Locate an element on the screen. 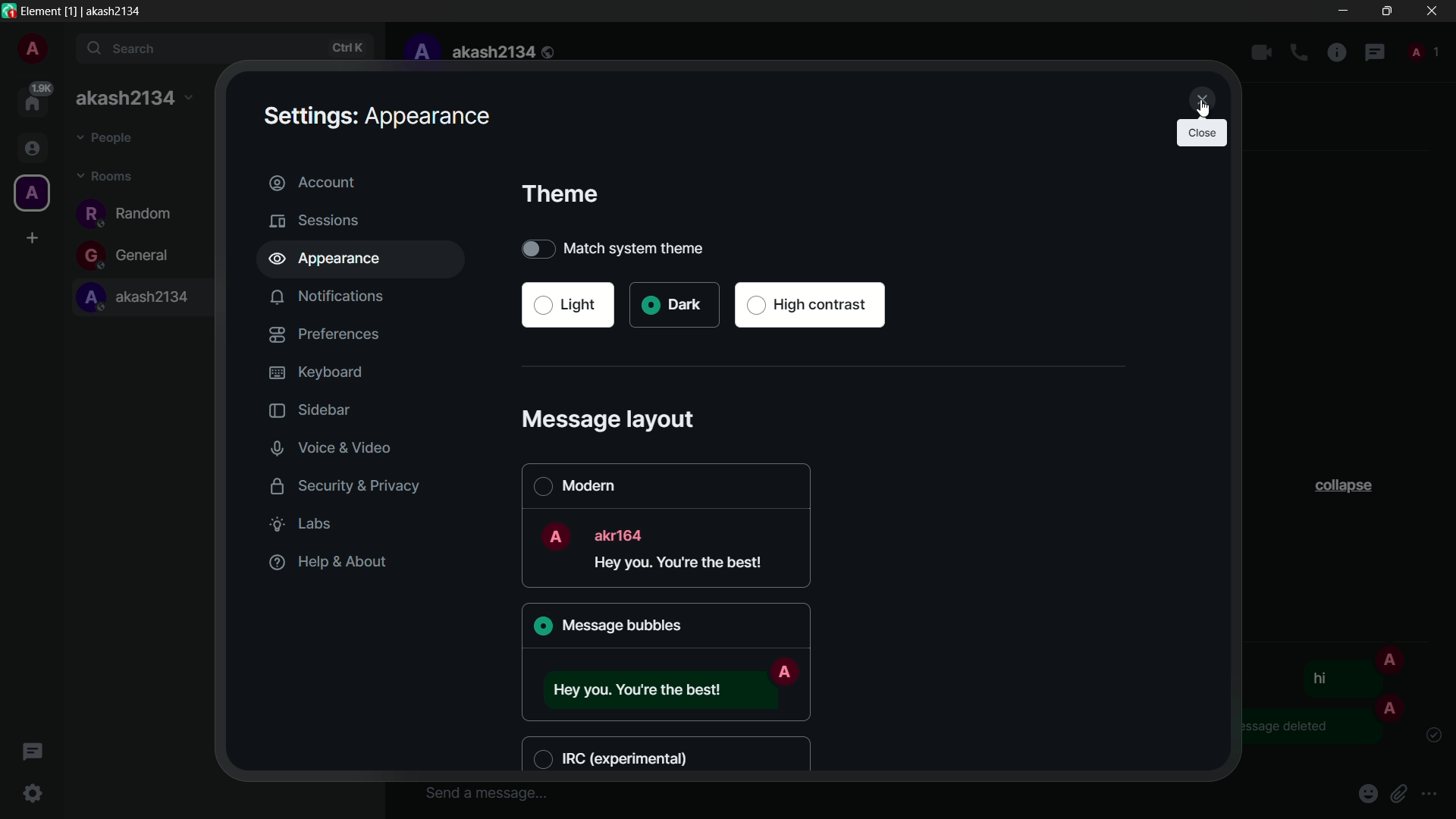 This screenshot has height=819, width=1456. cursor is located at coordinates (1203, 107).